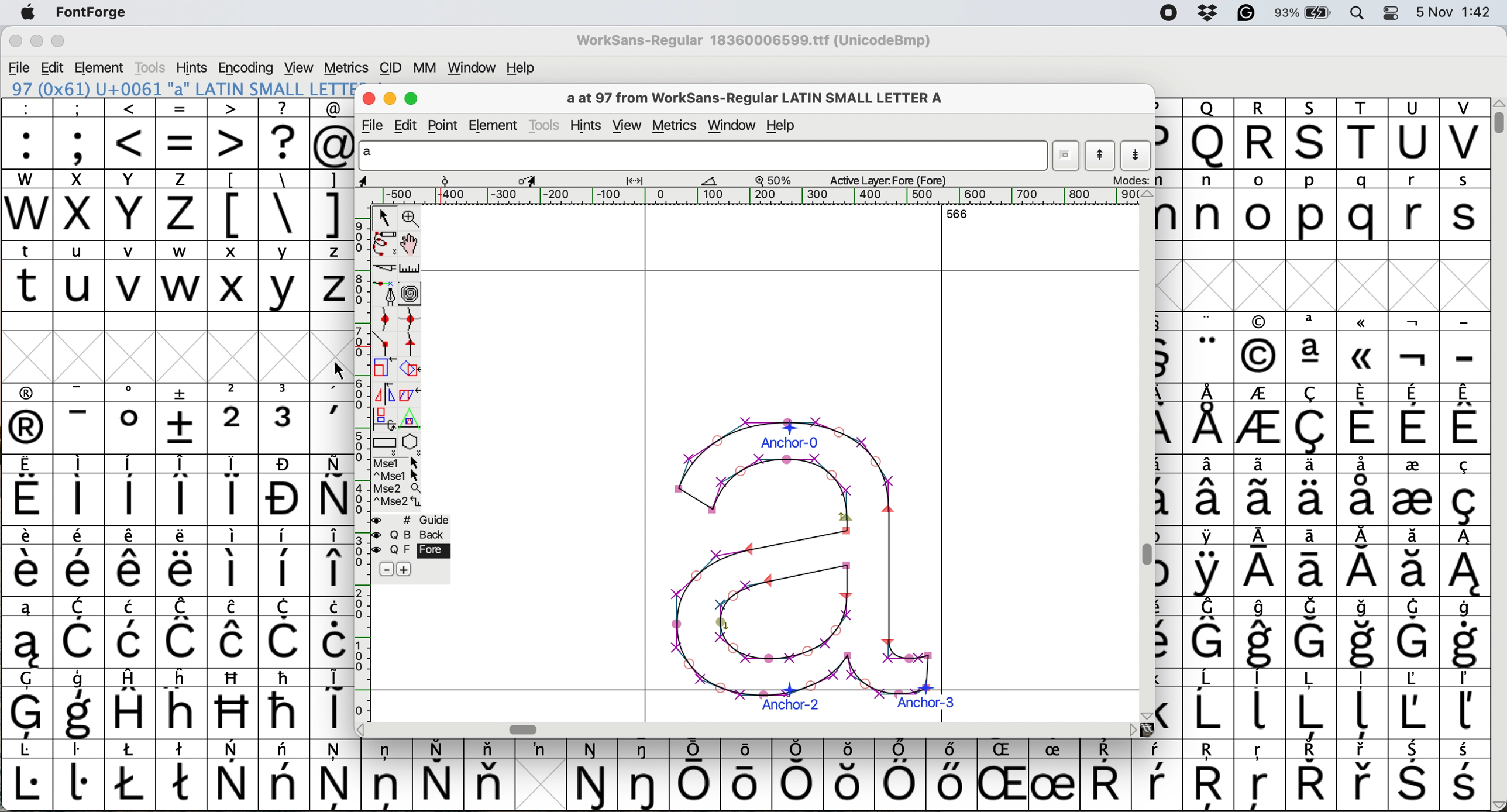 This screenshot has width=1507, height=812. I want to click on symbol, so click(332, 701).